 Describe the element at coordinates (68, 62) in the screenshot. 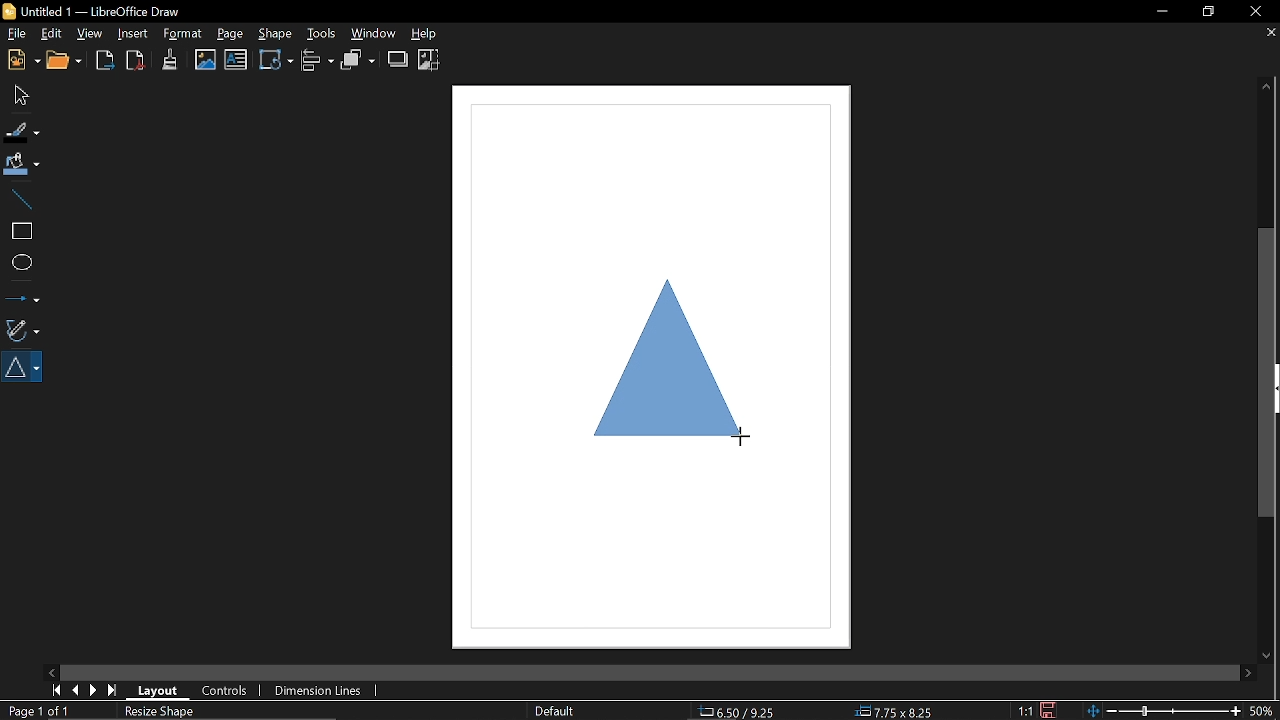

I see `Open` at that location.